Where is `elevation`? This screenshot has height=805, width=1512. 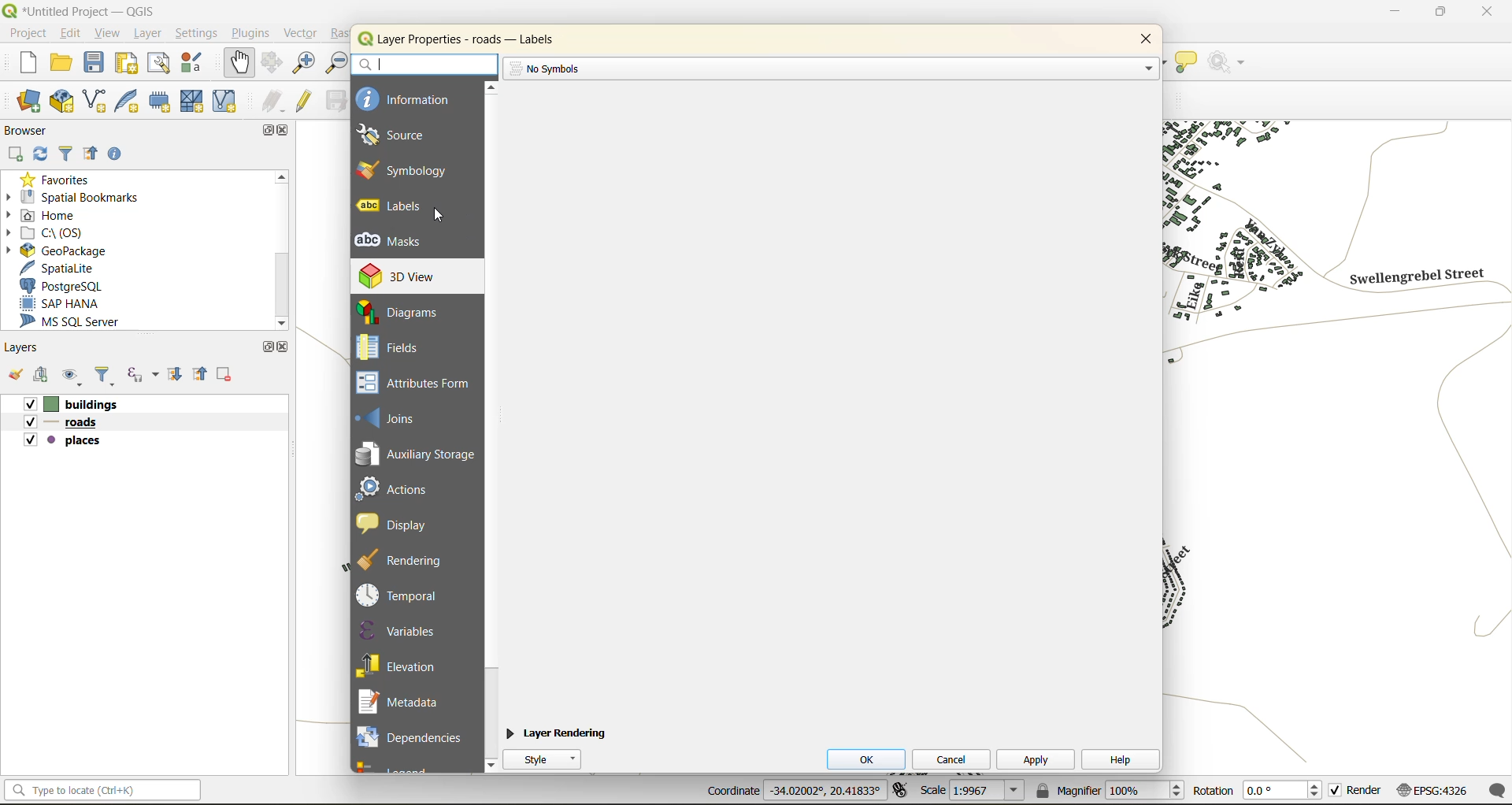 elevation is located at coordinates (403, 664).